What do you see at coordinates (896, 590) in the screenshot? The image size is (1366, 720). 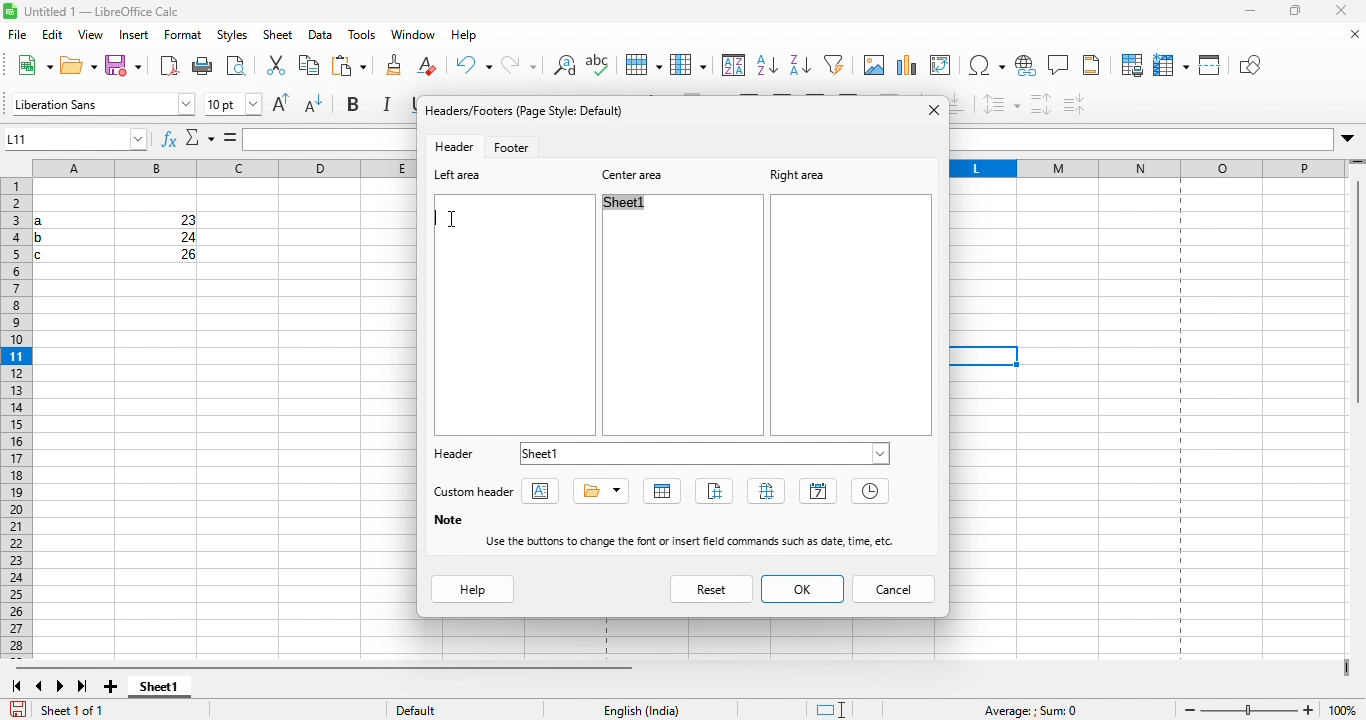 I see `cancel` at bounding box center [896, 590].